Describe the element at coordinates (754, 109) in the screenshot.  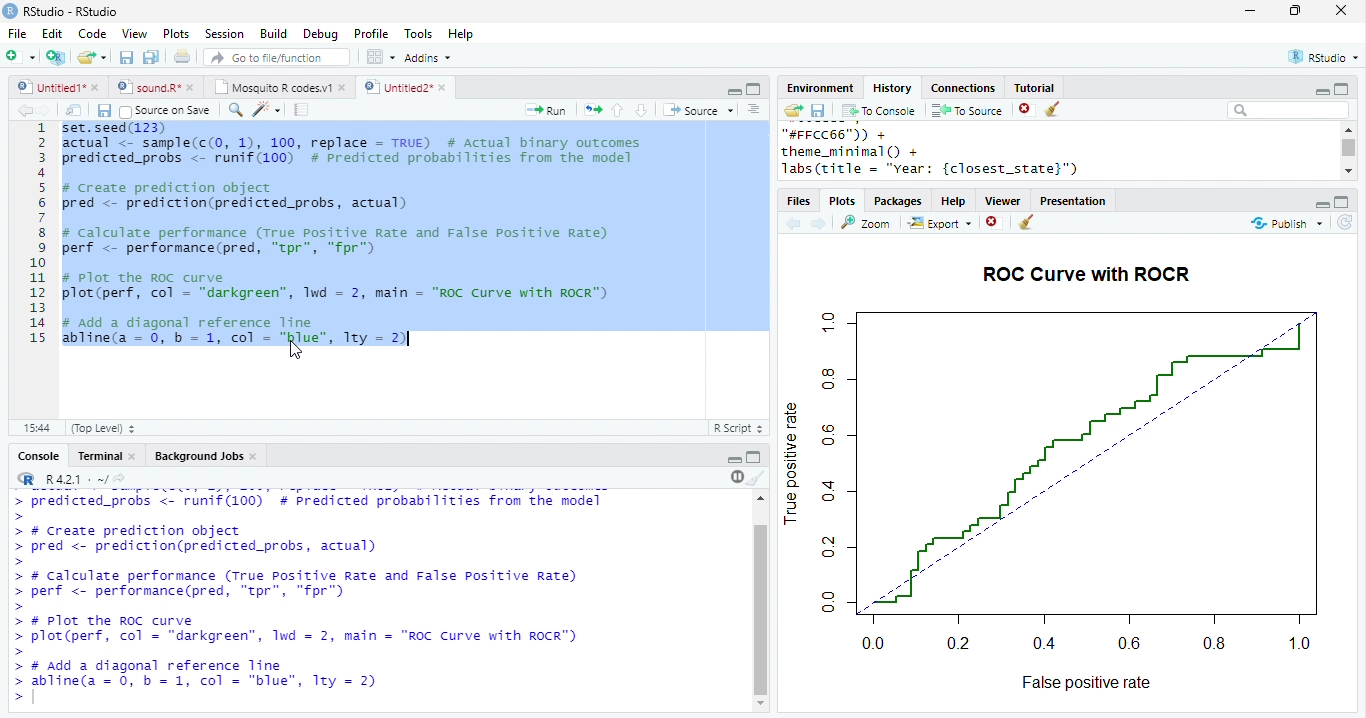
I see `options` at that location.